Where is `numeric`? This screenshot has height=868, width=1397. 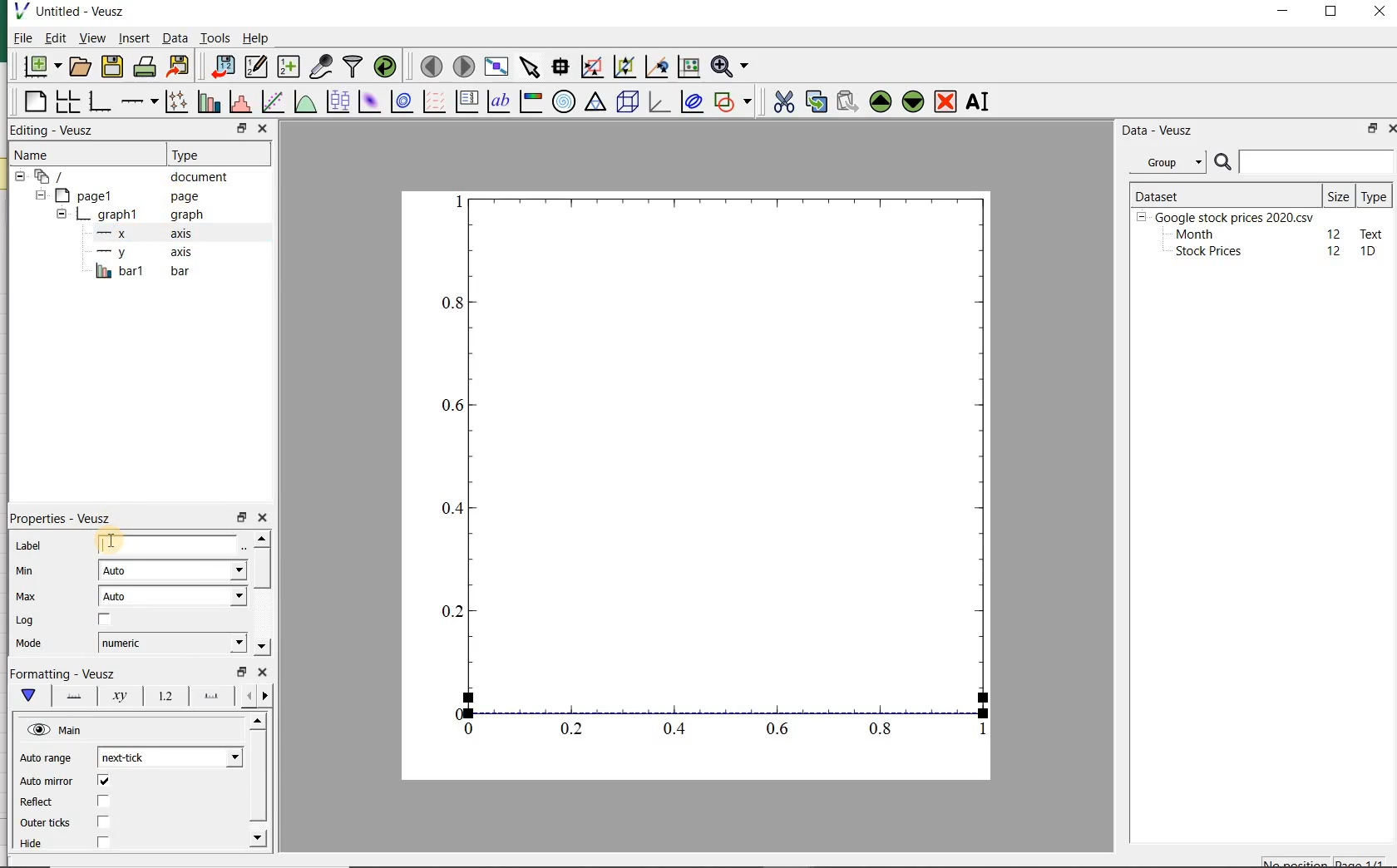 numeric is located at coordinates (170, 642).